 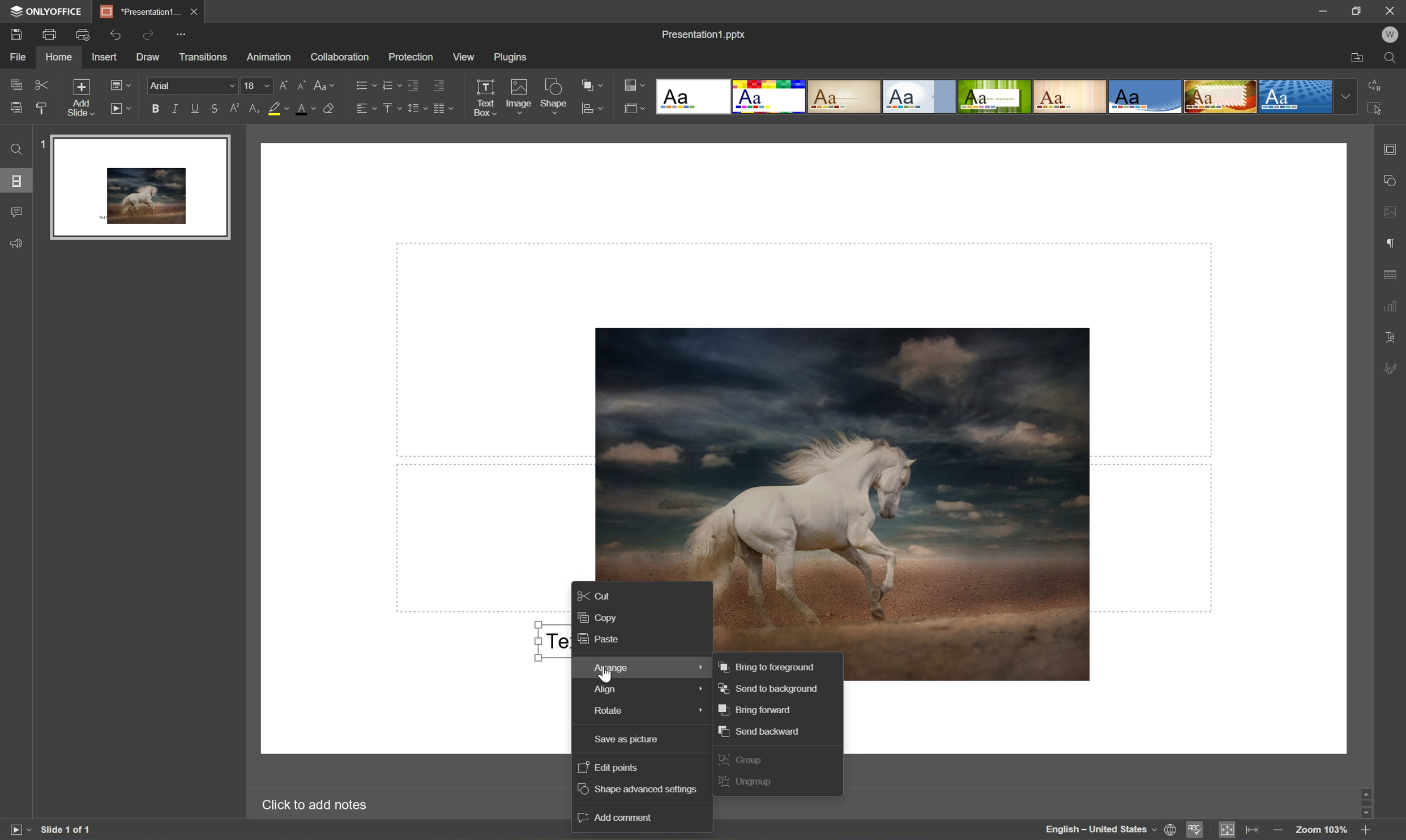 I want to click on Table settings, so click(x=1393, y=277).